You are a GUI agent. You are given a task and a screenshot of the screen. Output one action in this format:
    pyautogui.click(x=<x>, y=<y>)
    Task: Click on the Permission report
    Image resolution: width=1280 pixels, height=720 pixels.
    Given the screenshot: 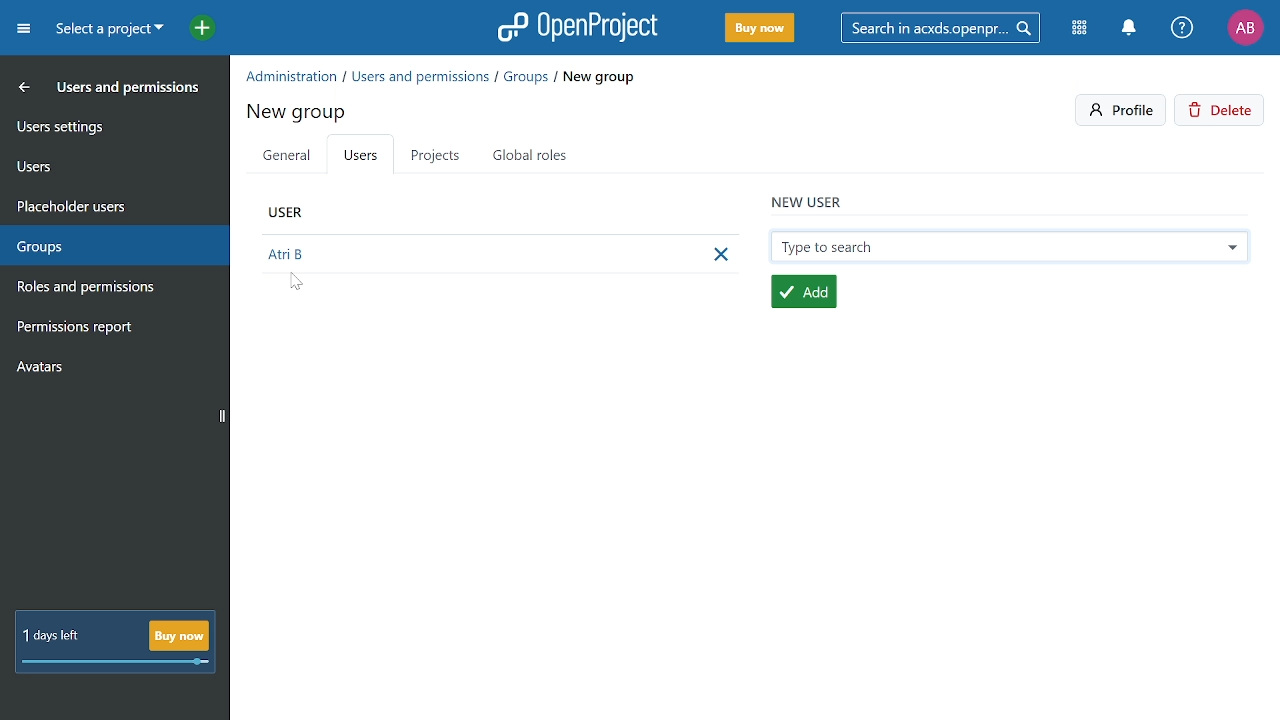 What is the action you would take?
    pyautogui.click(x=110, y=329)
    